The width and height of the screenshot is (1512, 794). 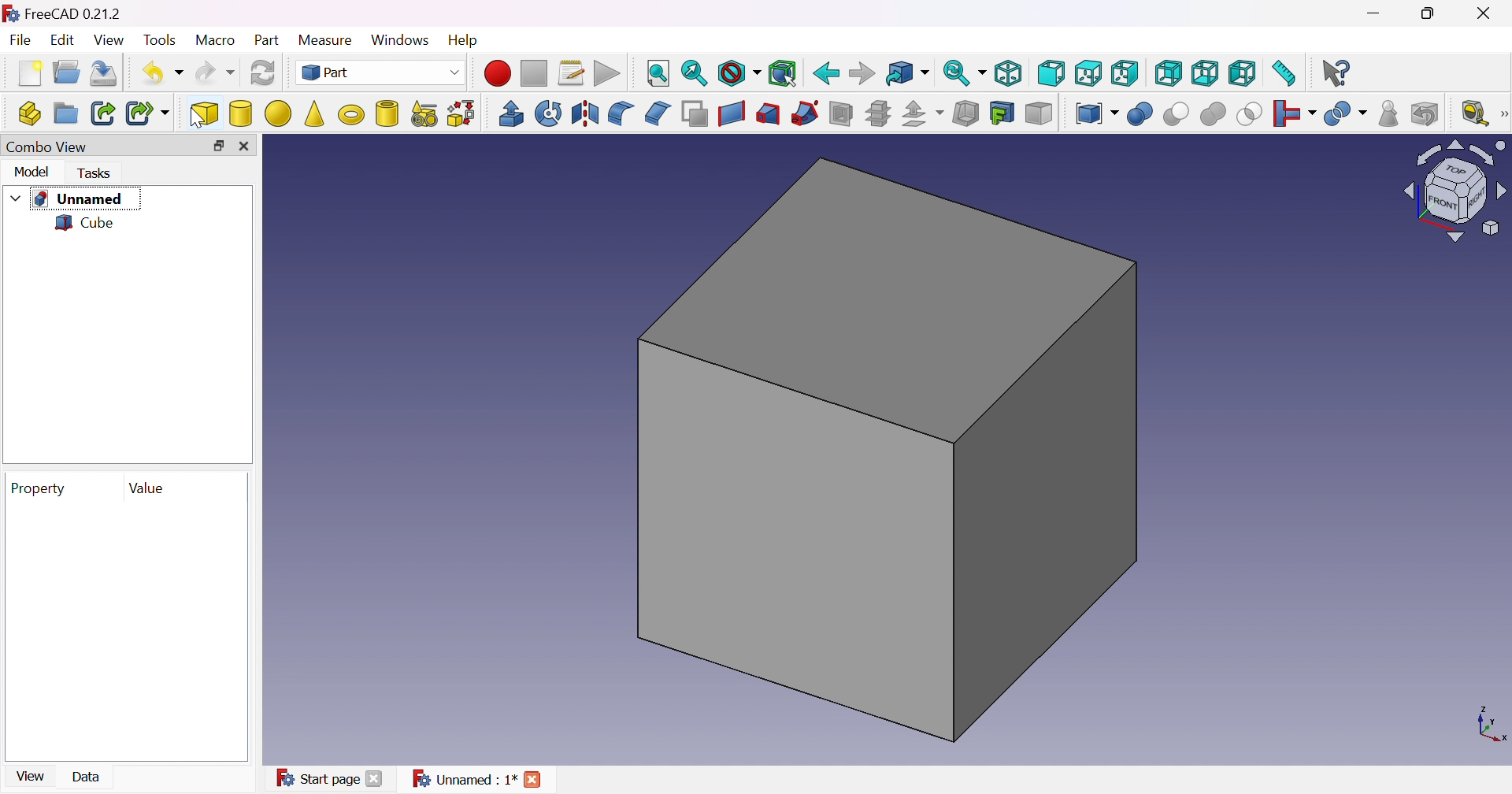 I want to click on Boolean, so click(x=1138, y=115).